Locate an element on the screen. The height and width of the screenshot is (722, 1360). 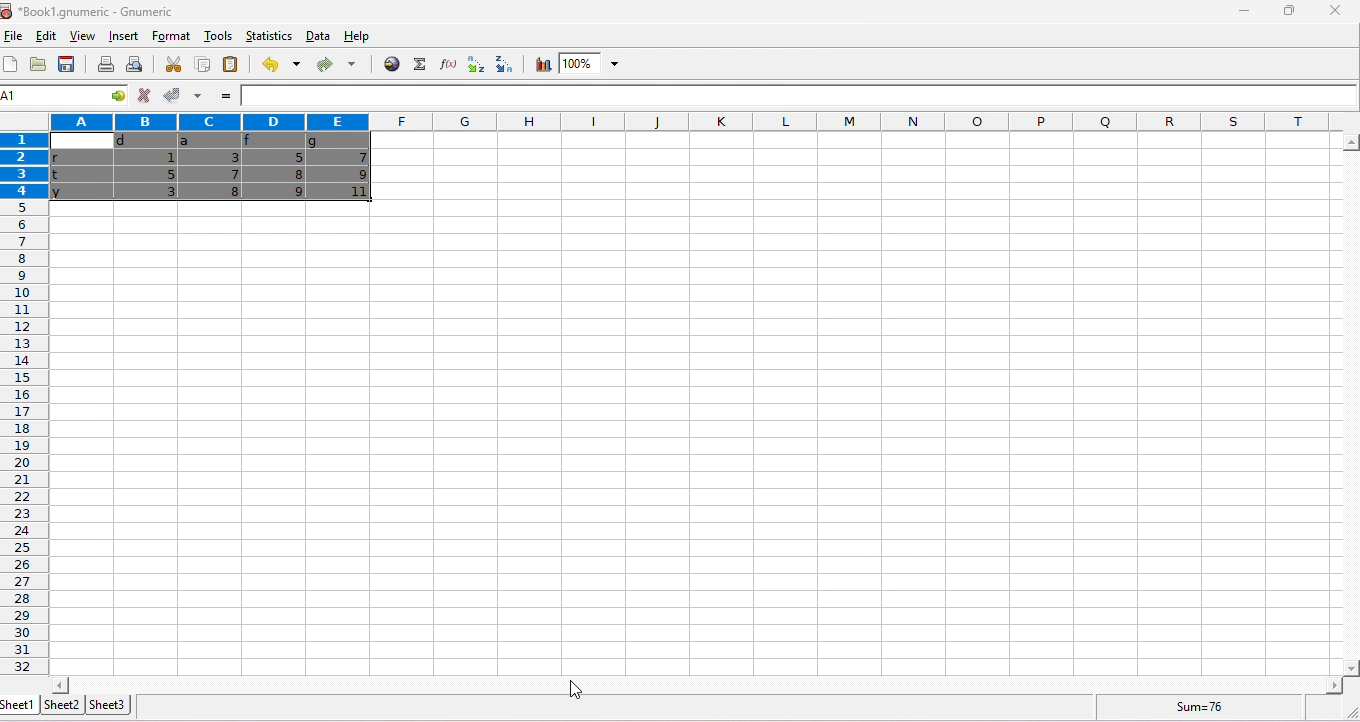
title is located at coordinates (90, 11).